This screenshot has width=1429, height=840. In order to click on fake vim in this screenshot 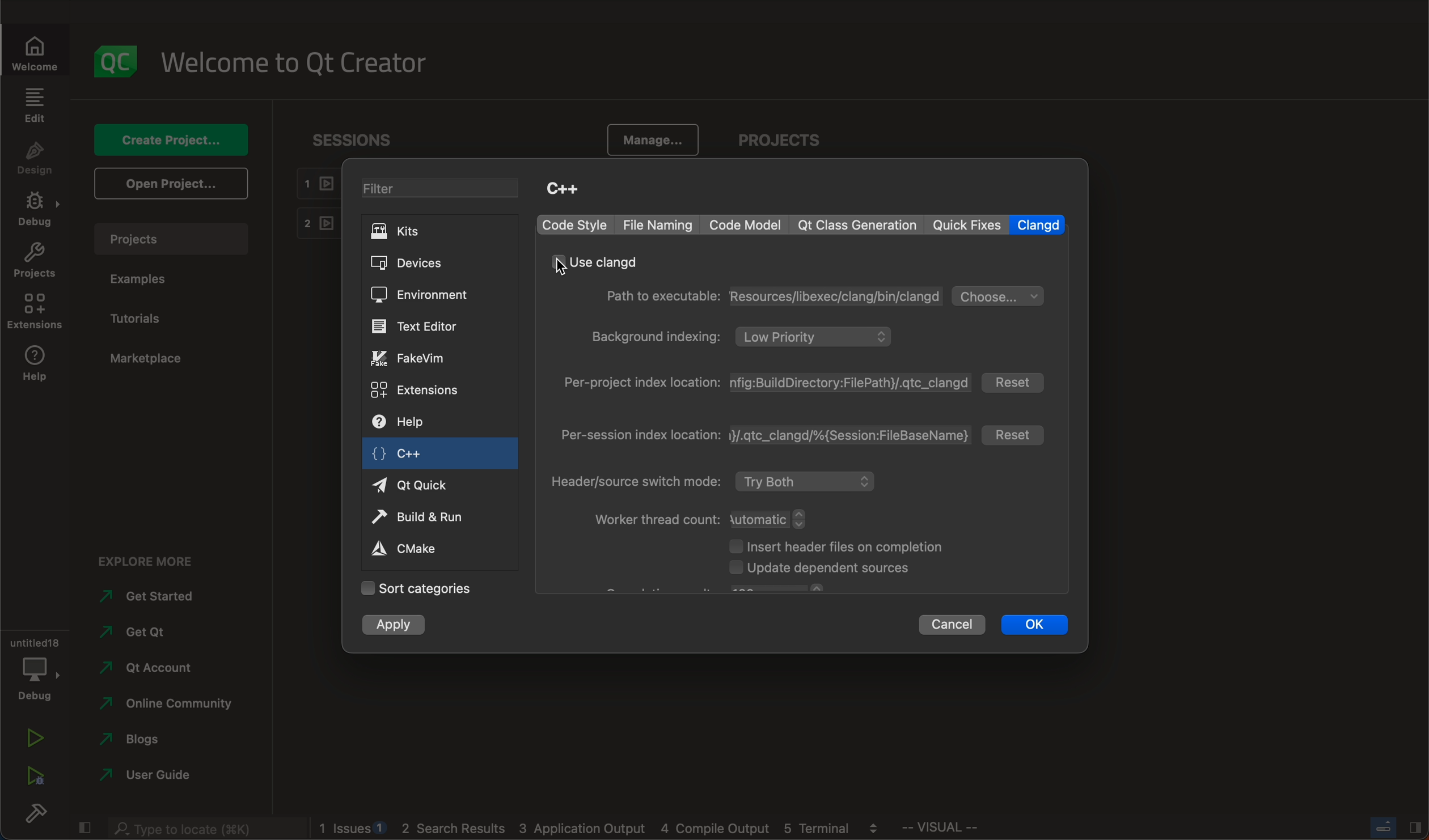, I will do `click(418, 359)`.